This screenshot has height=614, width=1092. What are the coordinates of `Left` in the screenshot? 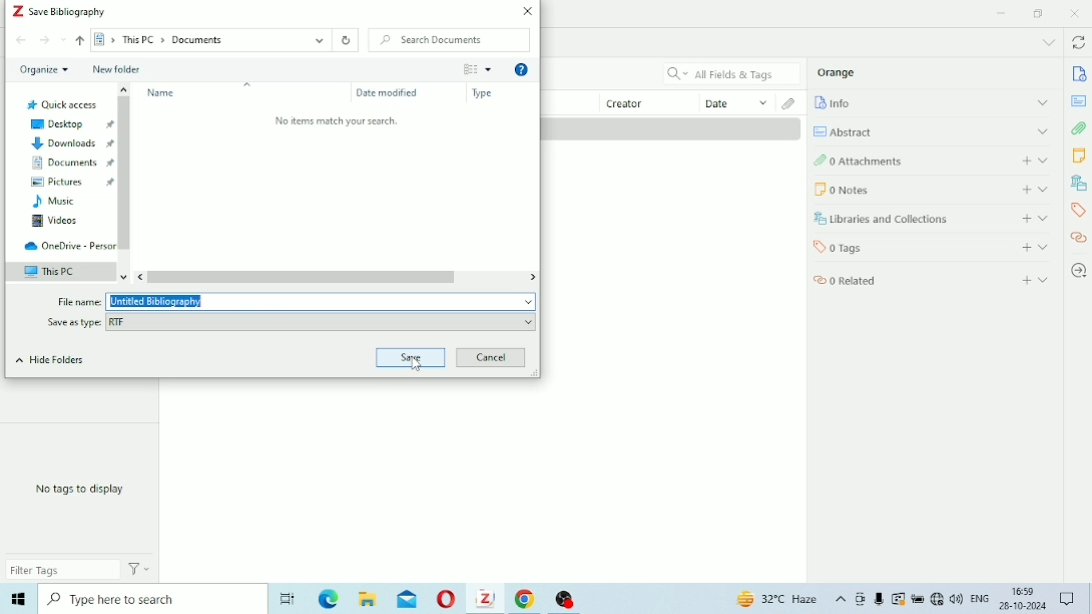 It's located at (143, 277).